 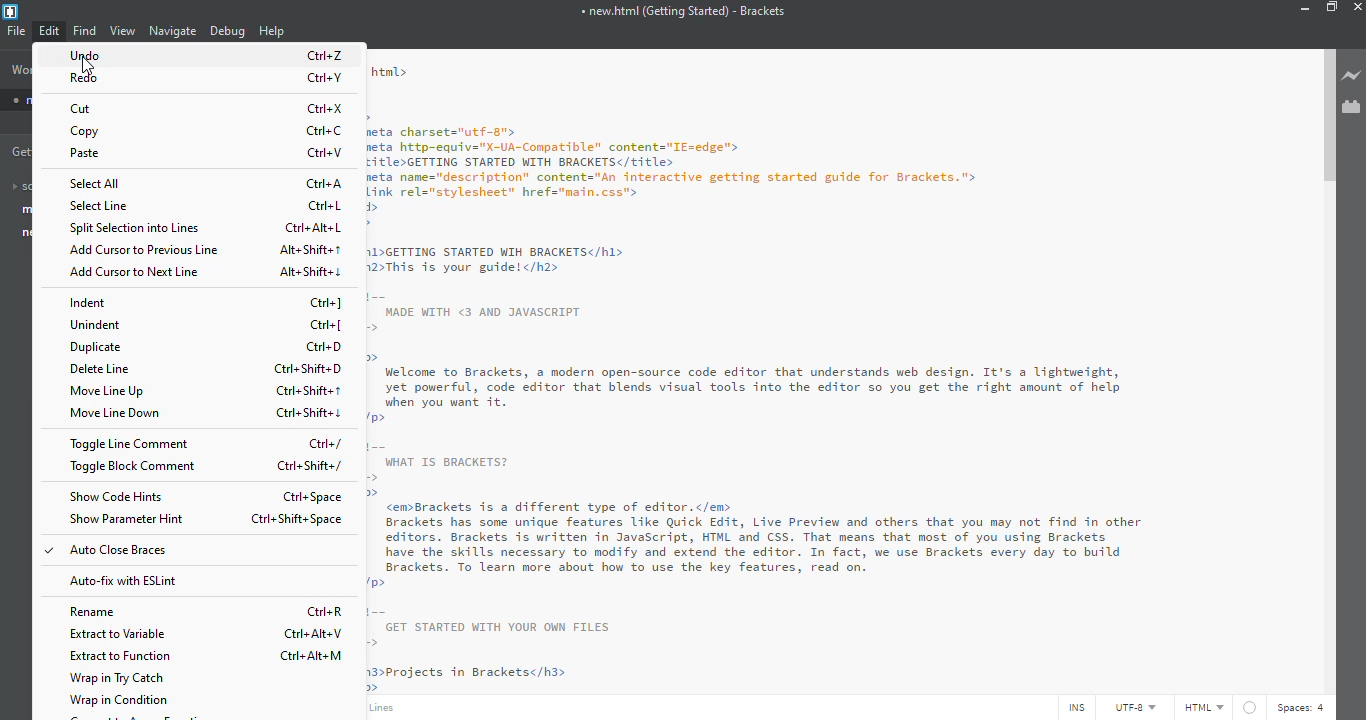 I want to click on ctrl+shift +down, so click(x=310, y=414).